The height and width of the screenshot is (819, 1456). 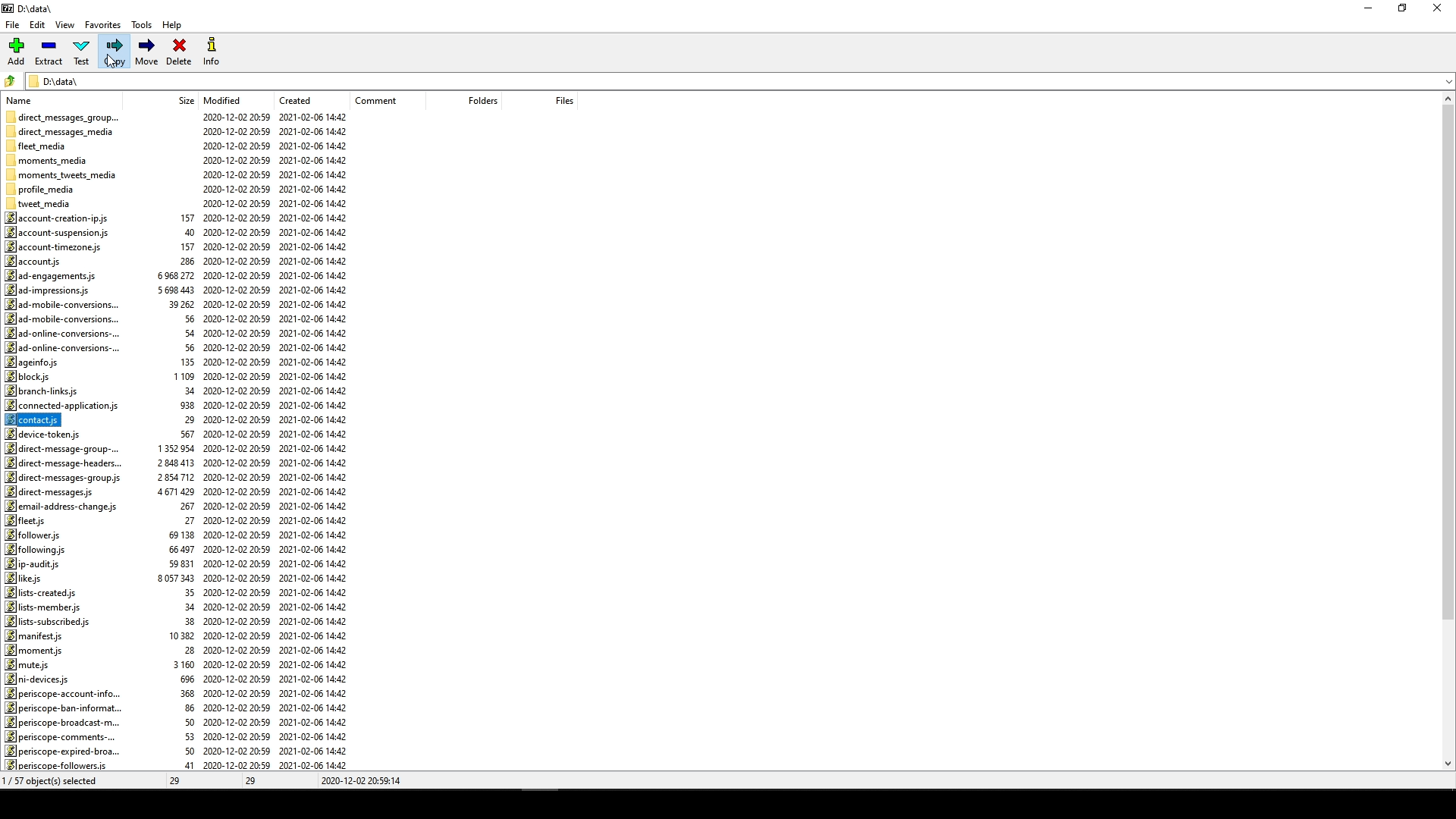 What do you see at coordinates (63, 218) in the screenshot?
I see `account-creation-ip.js` at bounding box center [63, 218].